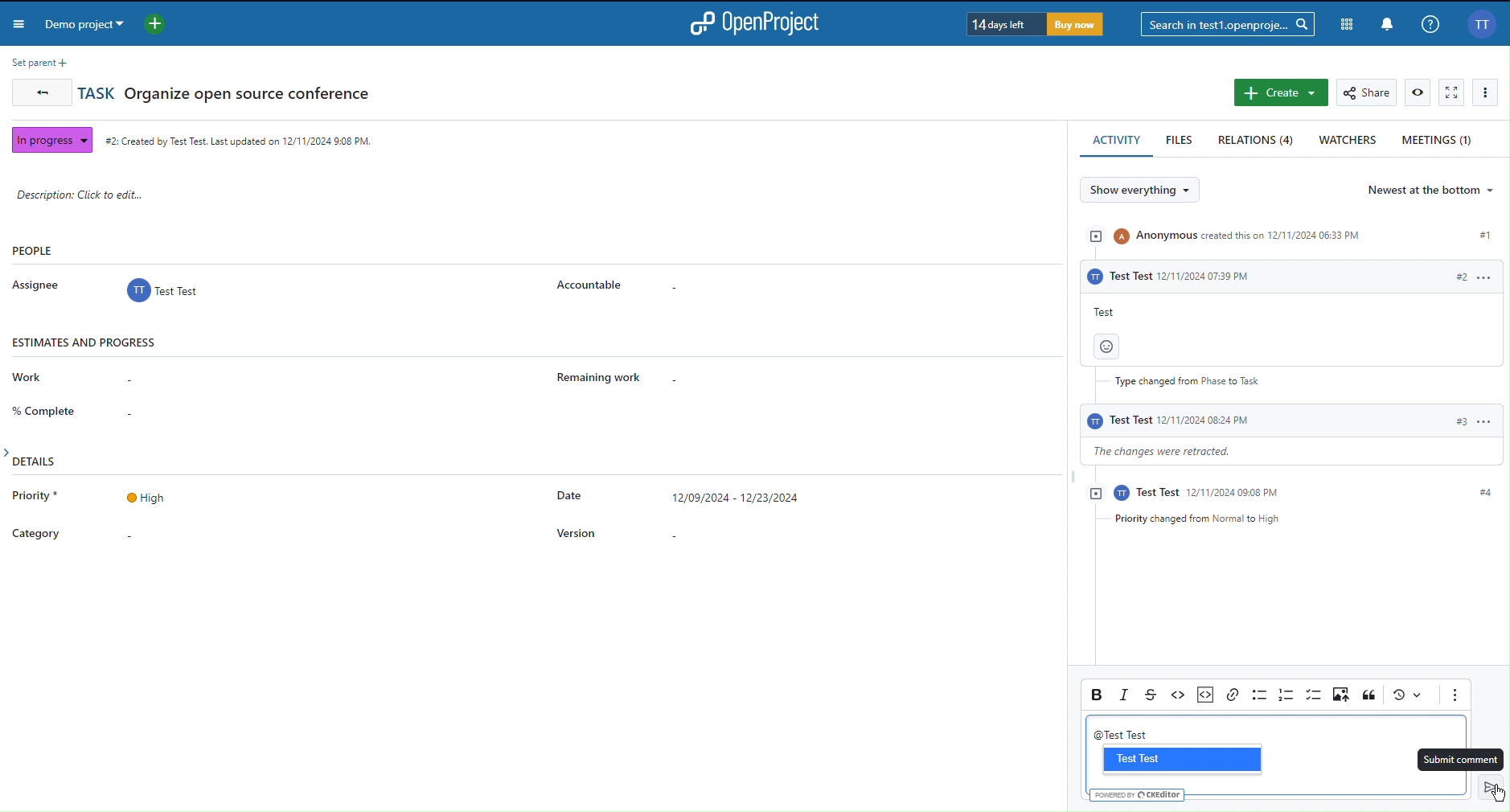 The image size is (1510, 812). What do you see at coordinates (1497, 794) in the screenshot?
I see `Cursor` at bounding box center [1497, 794].